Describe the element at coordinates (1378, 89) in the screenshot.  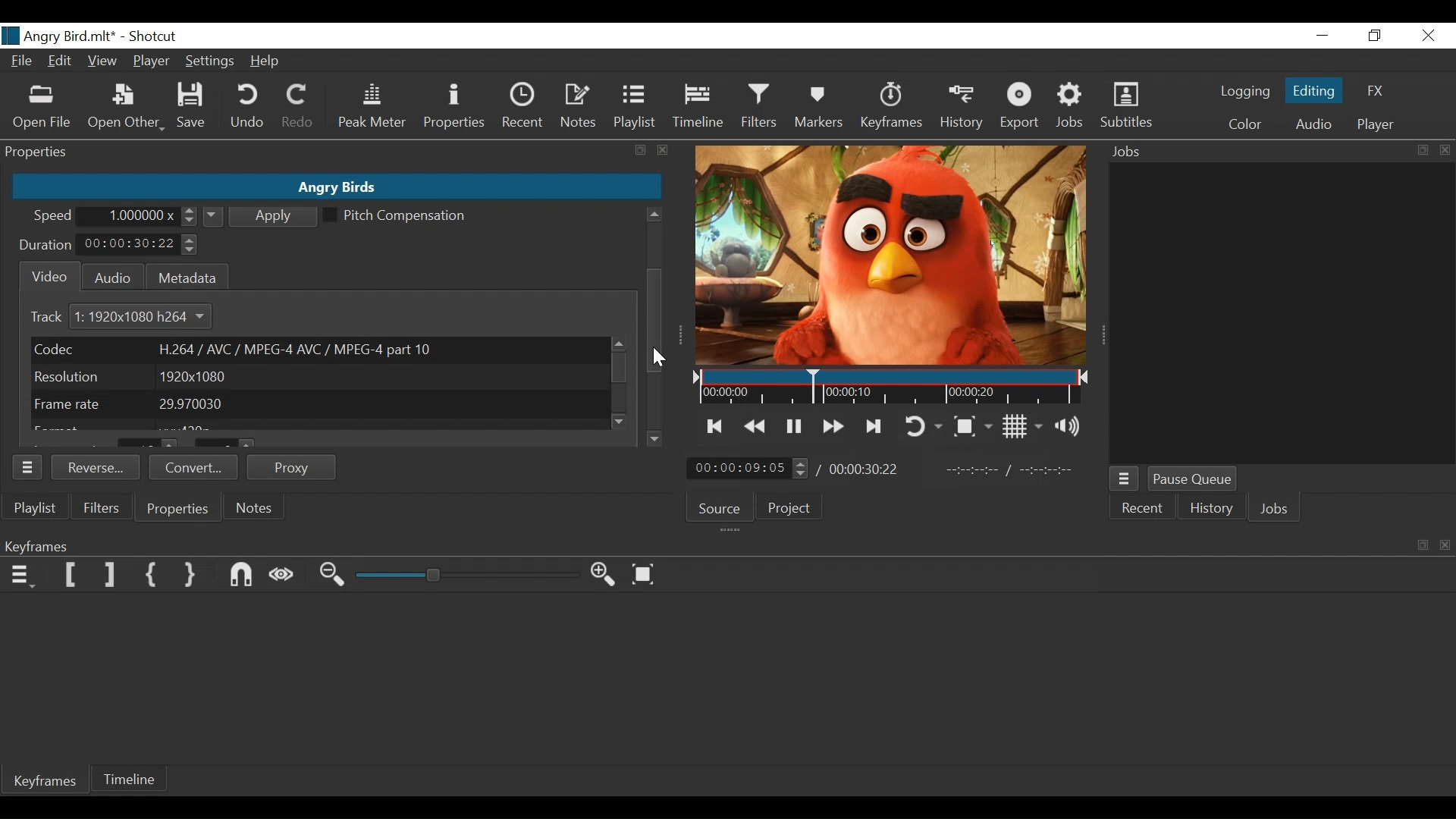
I see `FX` at that location.